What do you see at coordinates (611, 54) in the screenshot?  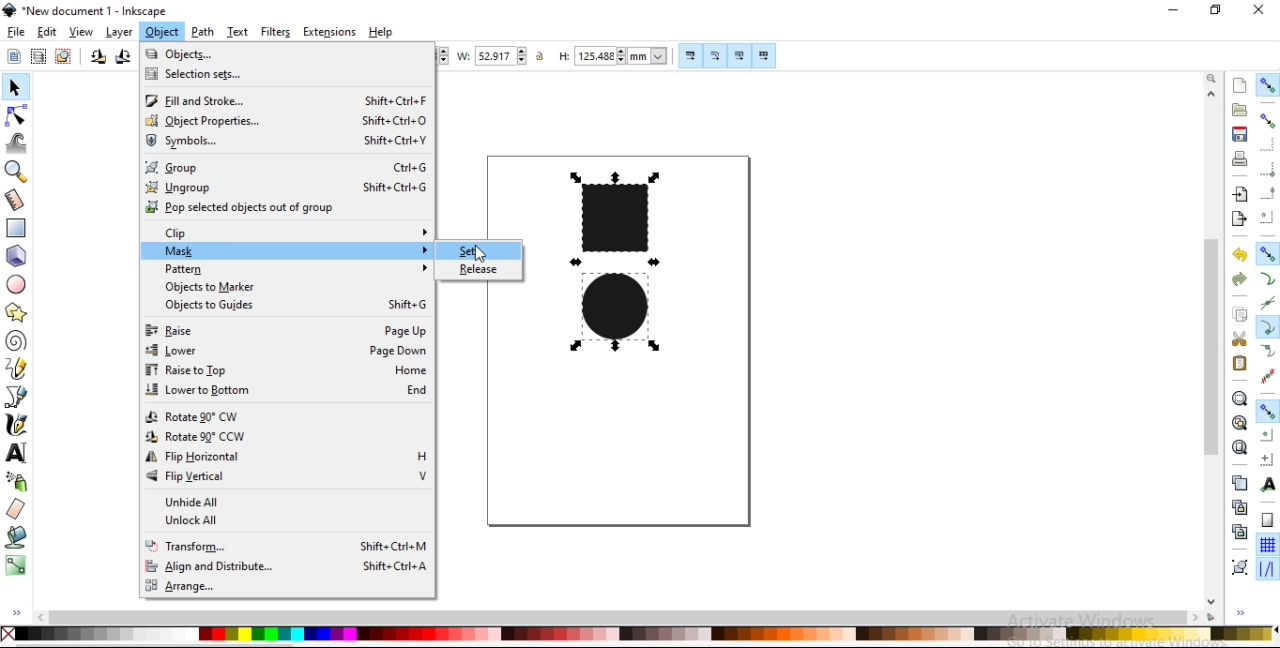 I see `height of selection` at bounding box center [611, 54].